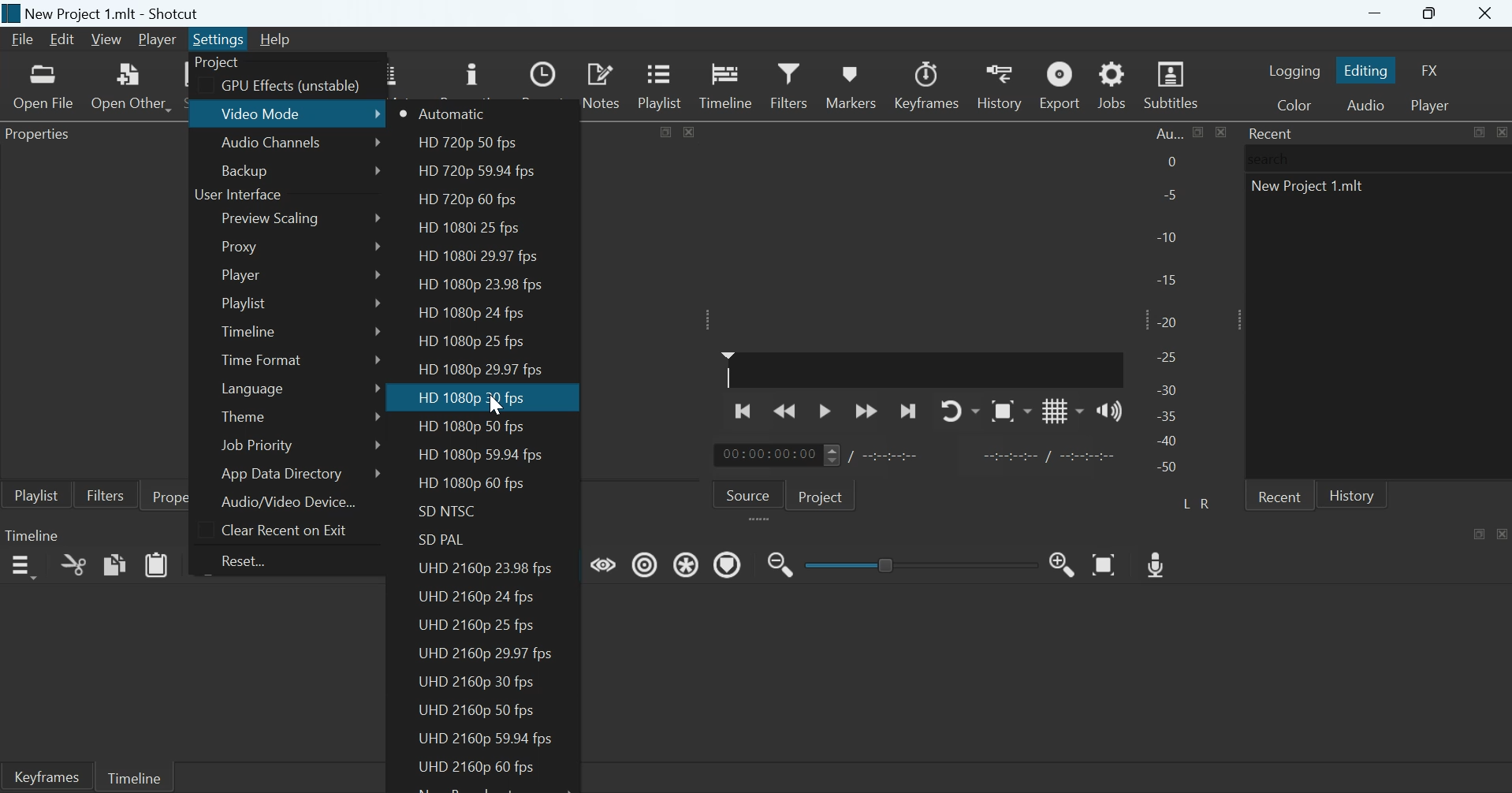  Describe the element at coordinates (1058, 84) in the screenshot. I see `Export` at that location.